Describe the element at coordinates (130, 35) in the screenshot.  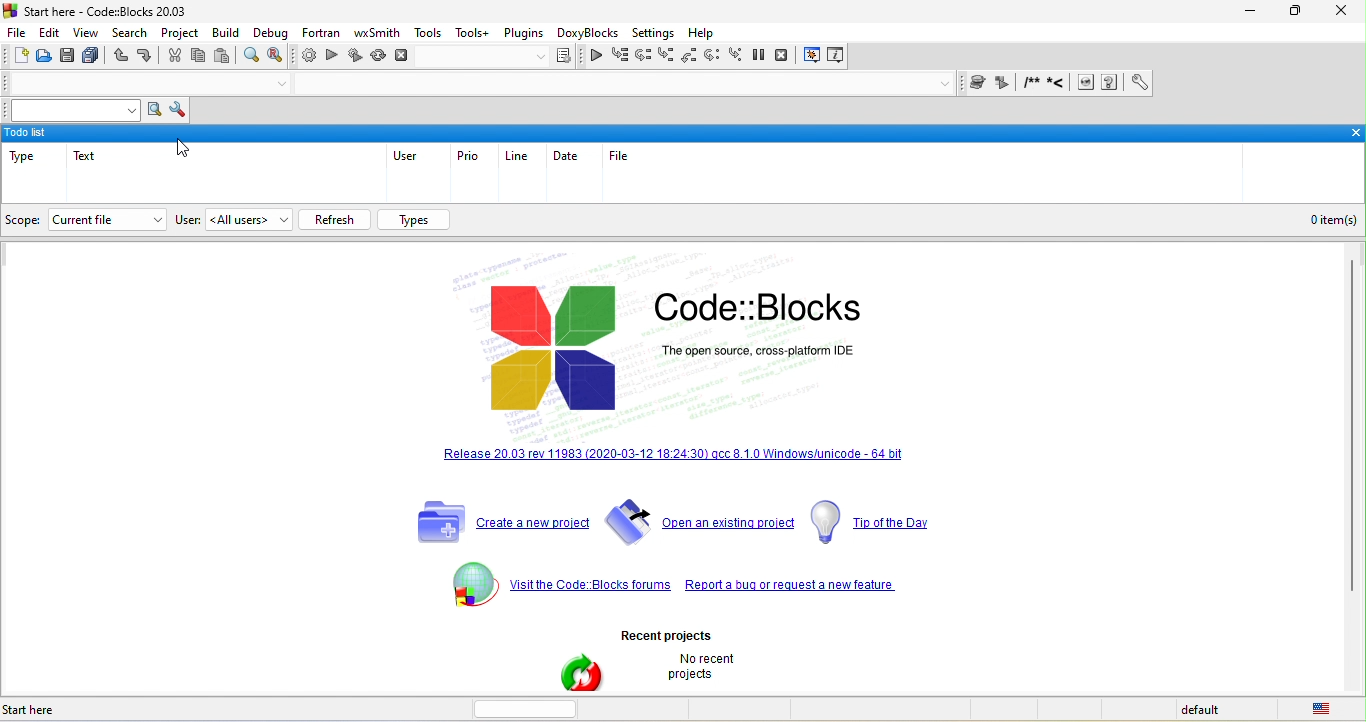
I see `search` at that location.